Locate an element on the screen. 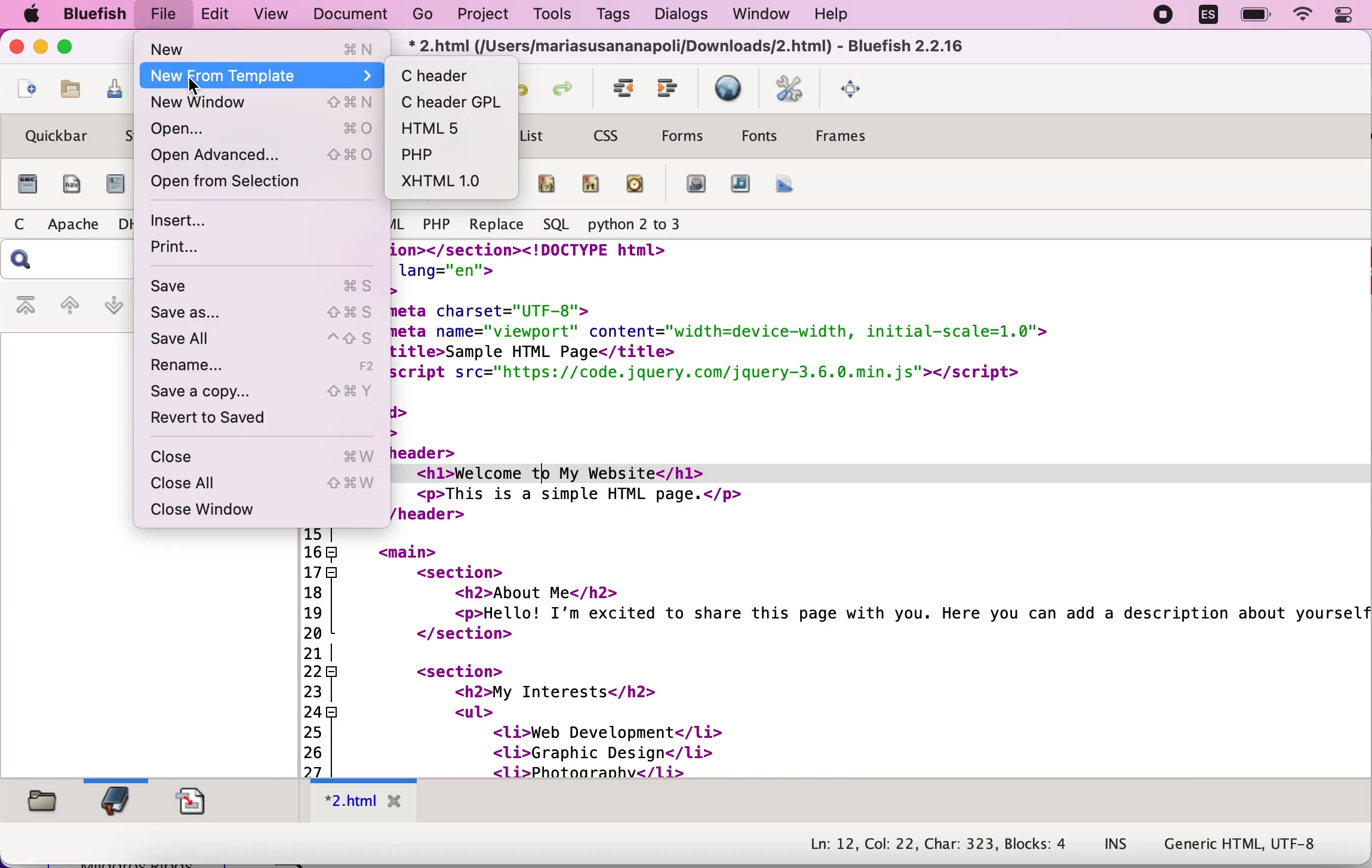  php is located at coordinates (438, 155).